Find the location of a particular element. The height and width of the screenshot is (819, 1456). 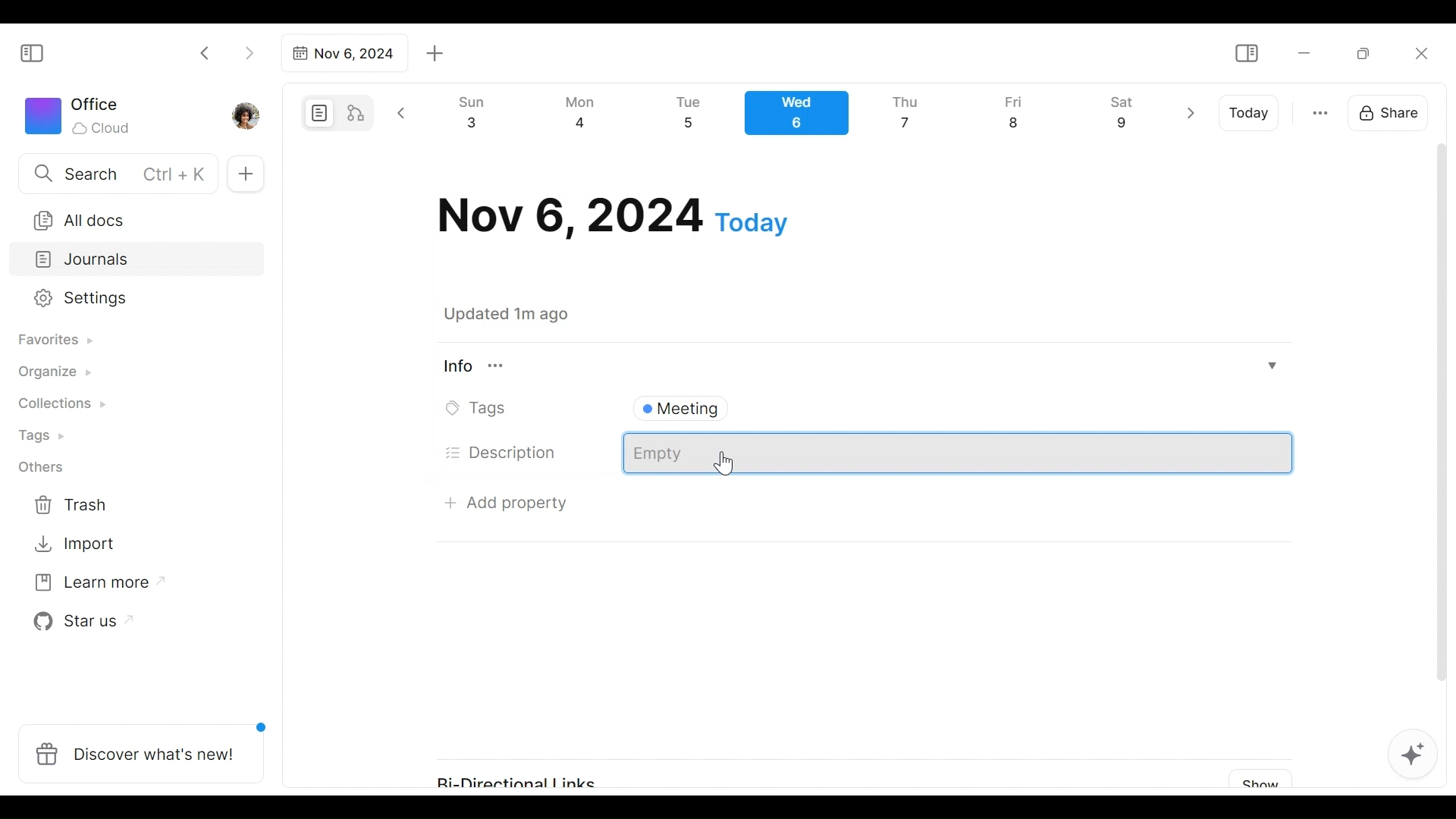

Favorites is located at coordinates (54, 340).